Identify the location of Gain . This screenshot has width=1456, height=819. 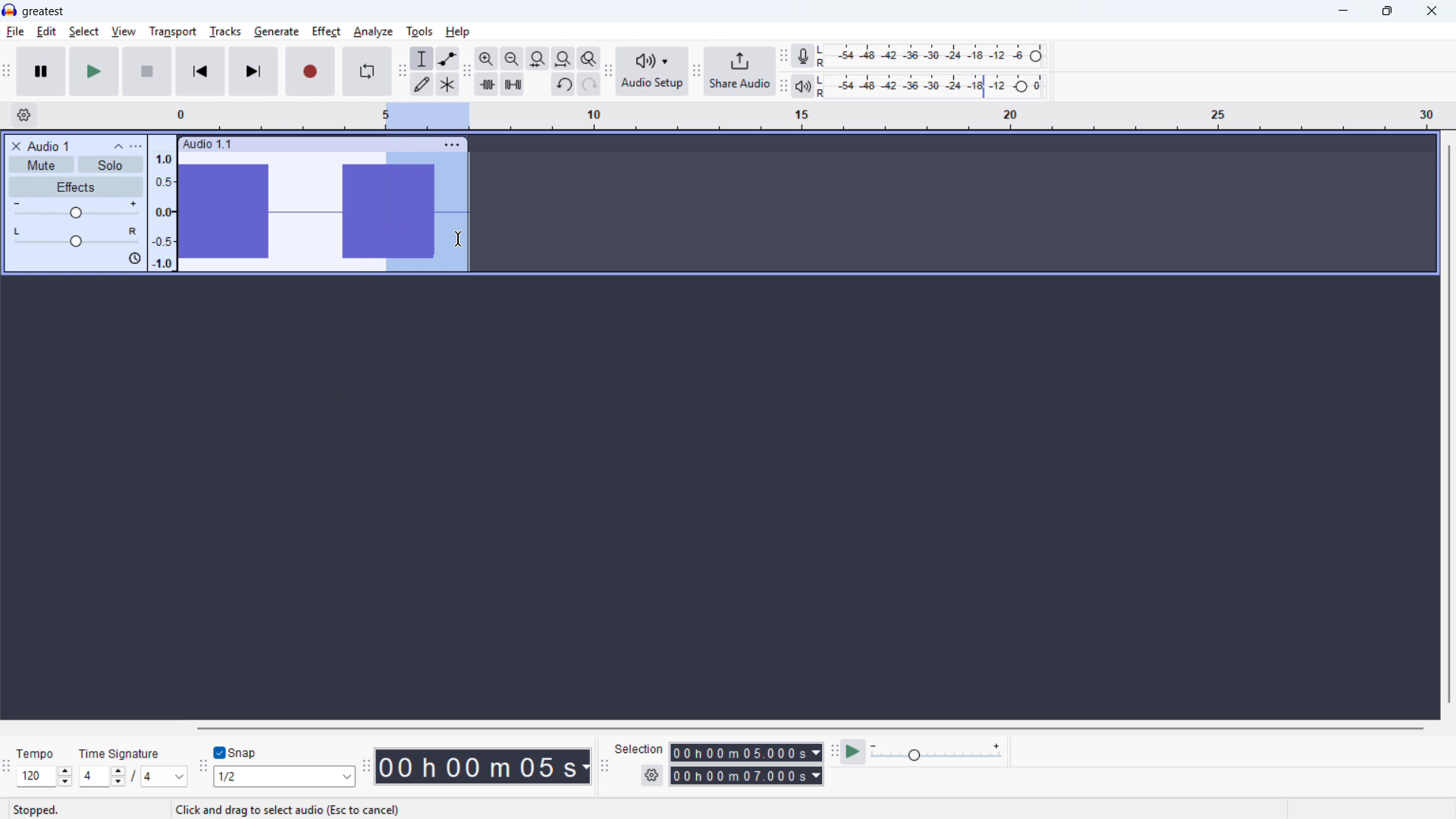
(76, 211).